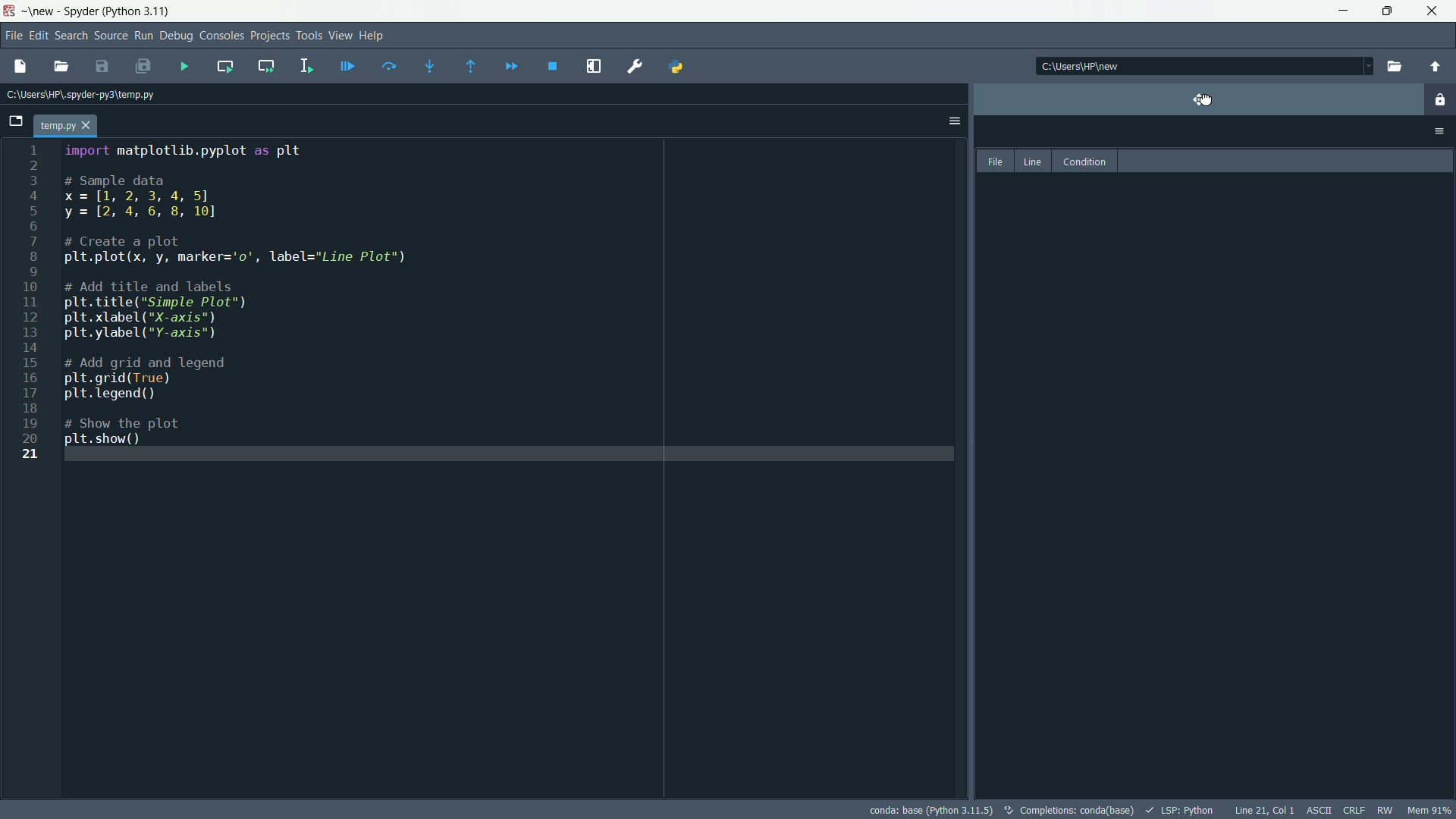  I want to click on consoles menu, so click(221, 35).